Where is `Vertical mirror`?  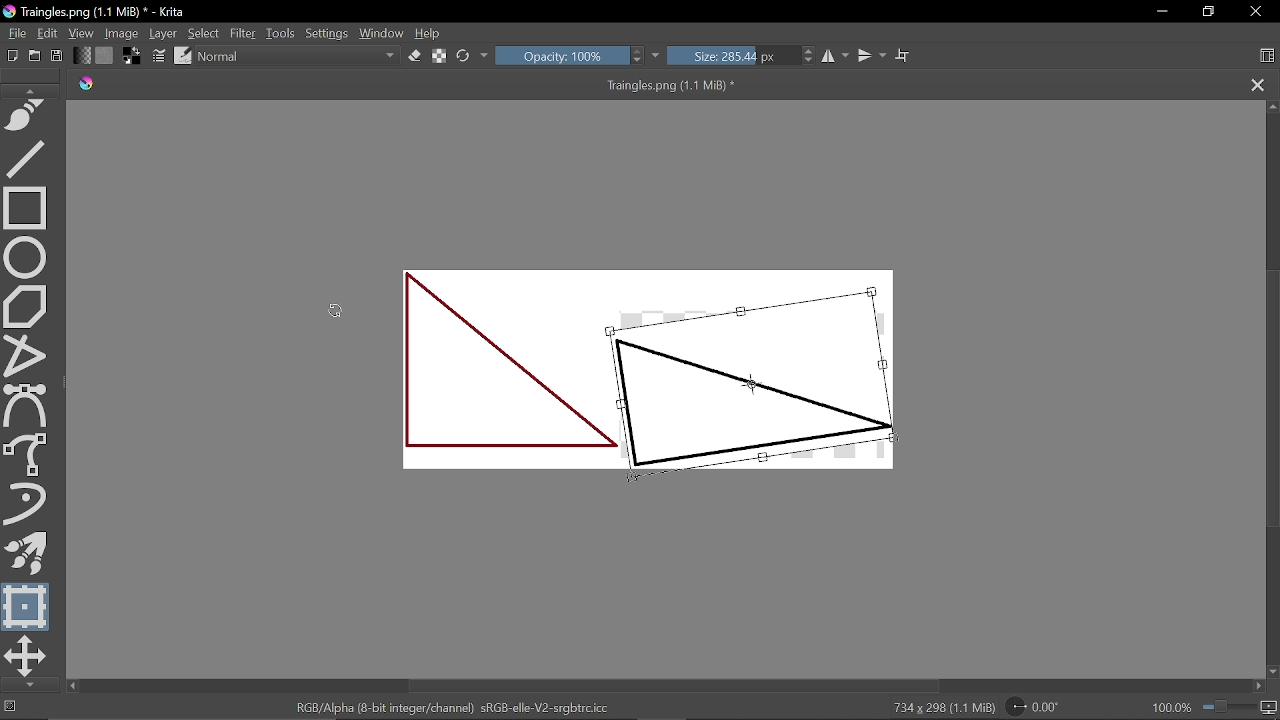
Vertical mirror is located at coordinates (871, 56).